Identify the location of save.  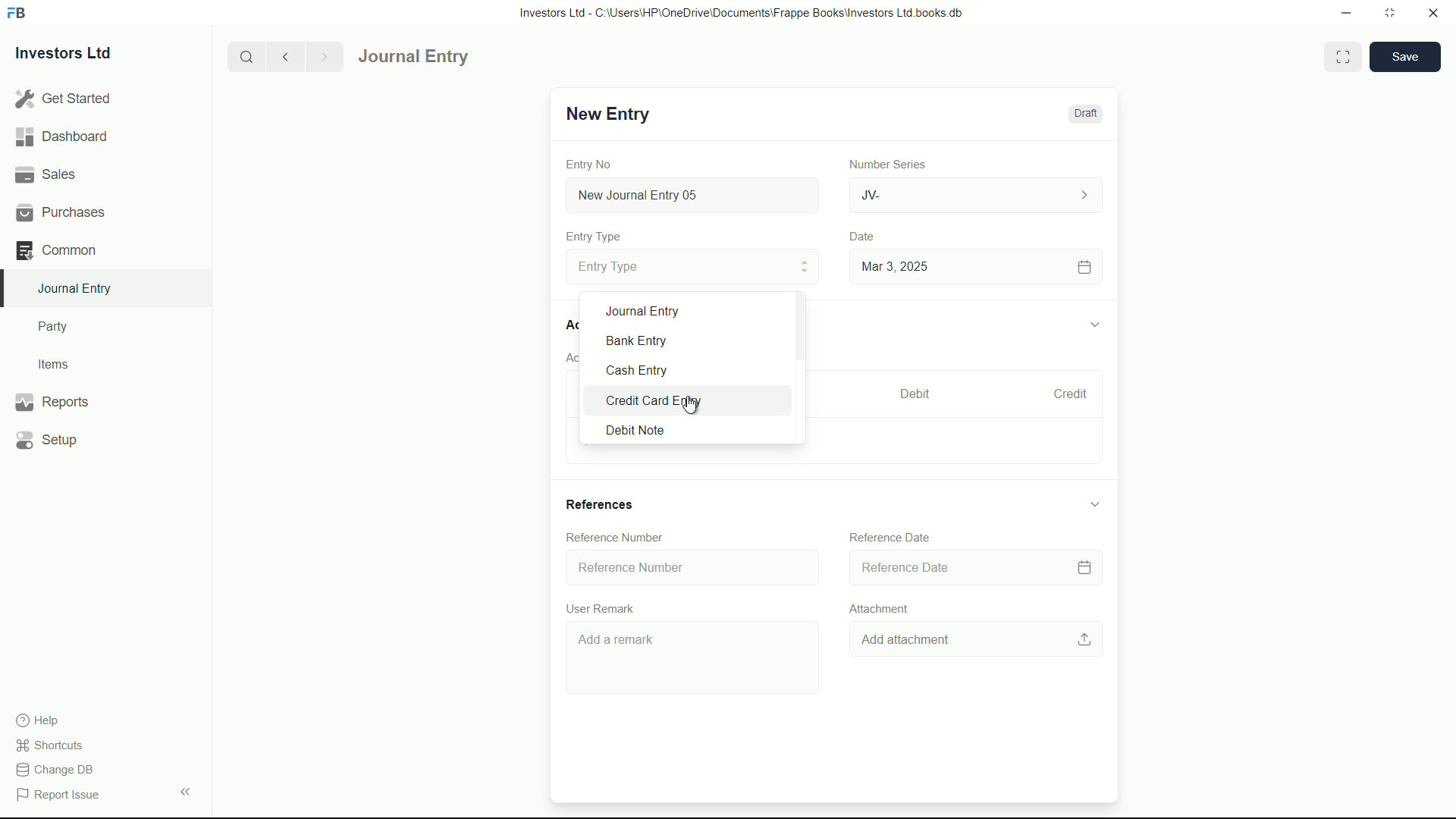
(1406, 57).